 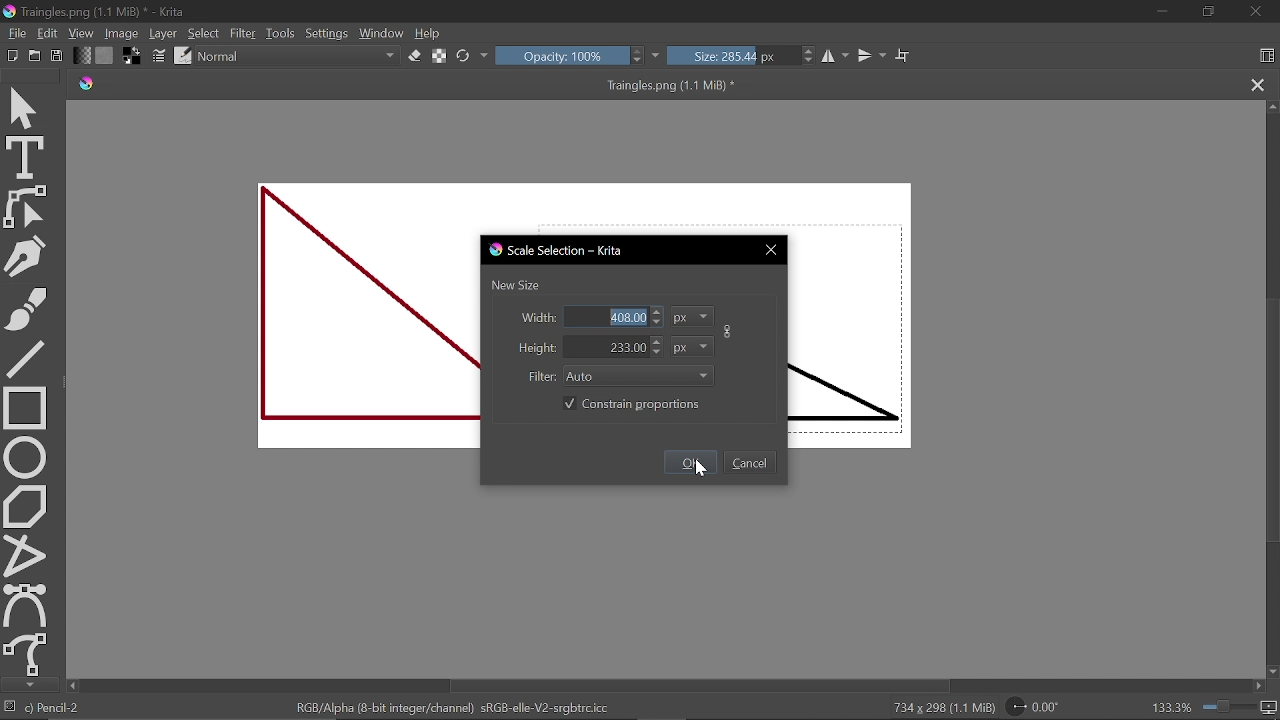 What do you see at coordinates (82, 56) in the screenshot?
I see `Gradient fill` at bounding box center [82, 56].